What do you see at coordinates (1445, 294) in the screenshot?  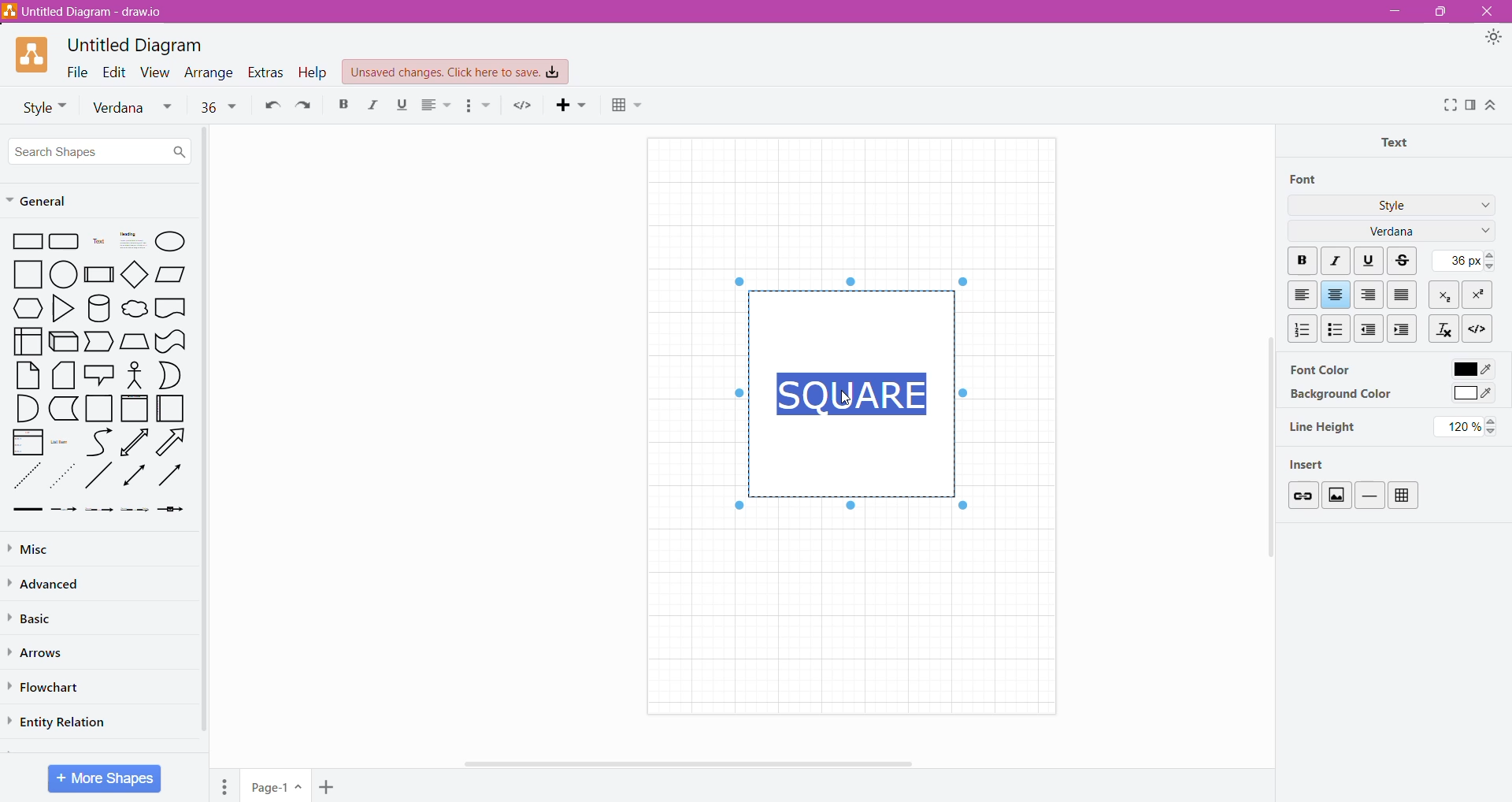 I see `Subscript` at bounding box center [1445, 294].